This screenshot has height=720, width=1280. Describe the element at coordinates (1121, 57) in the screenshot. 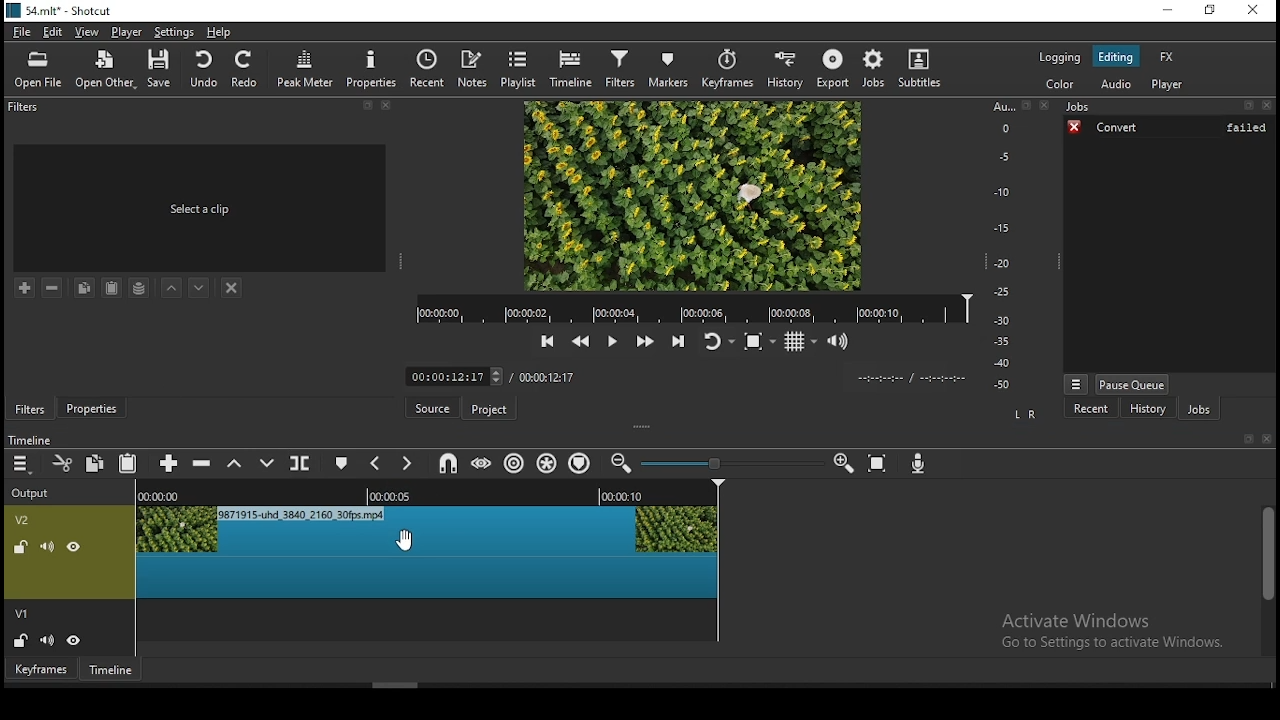

I see `editing` at that location.